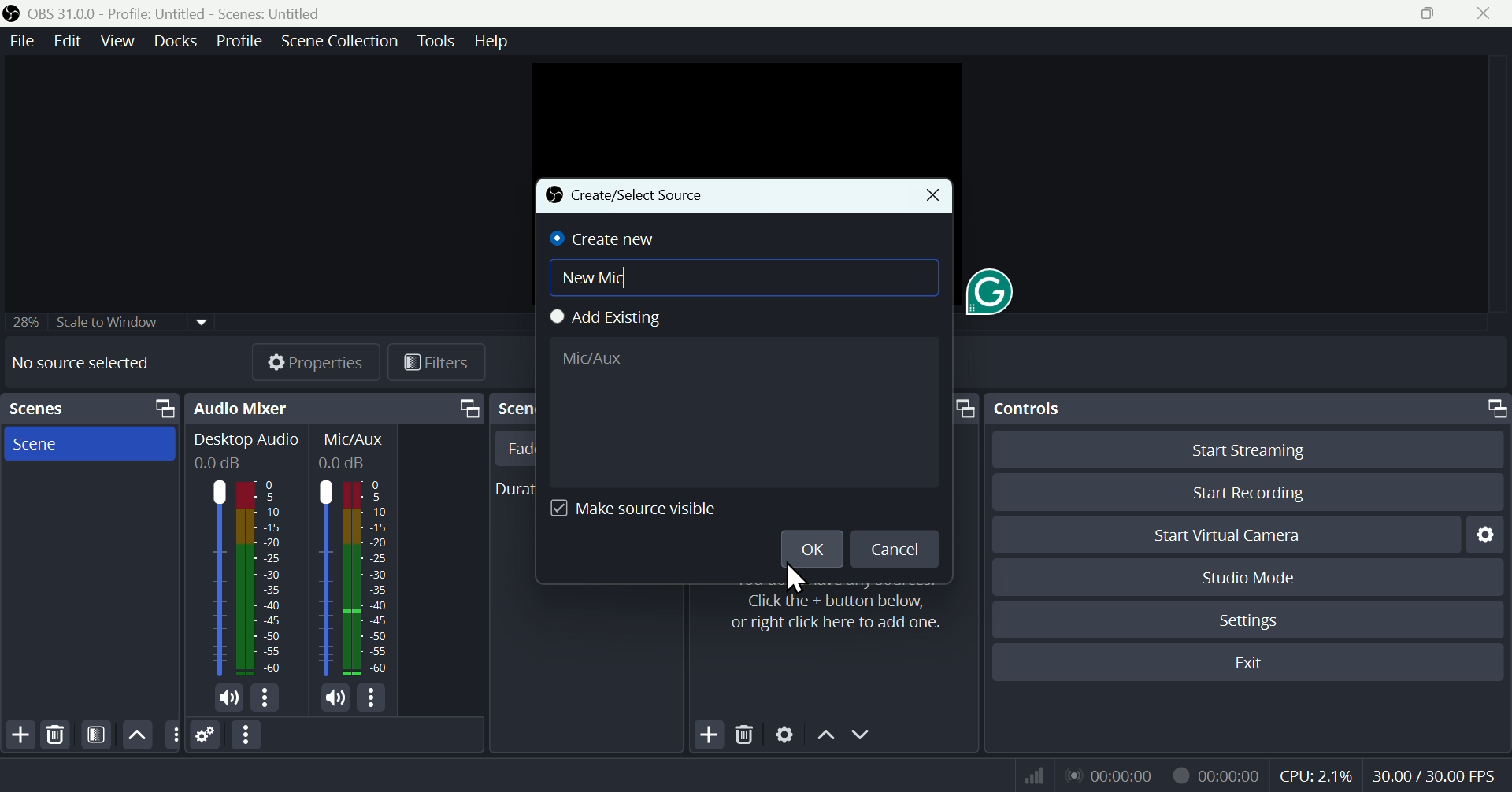 The width and height of the screenshot is (1512, 792). I want to click on OK, so click(809, 548).